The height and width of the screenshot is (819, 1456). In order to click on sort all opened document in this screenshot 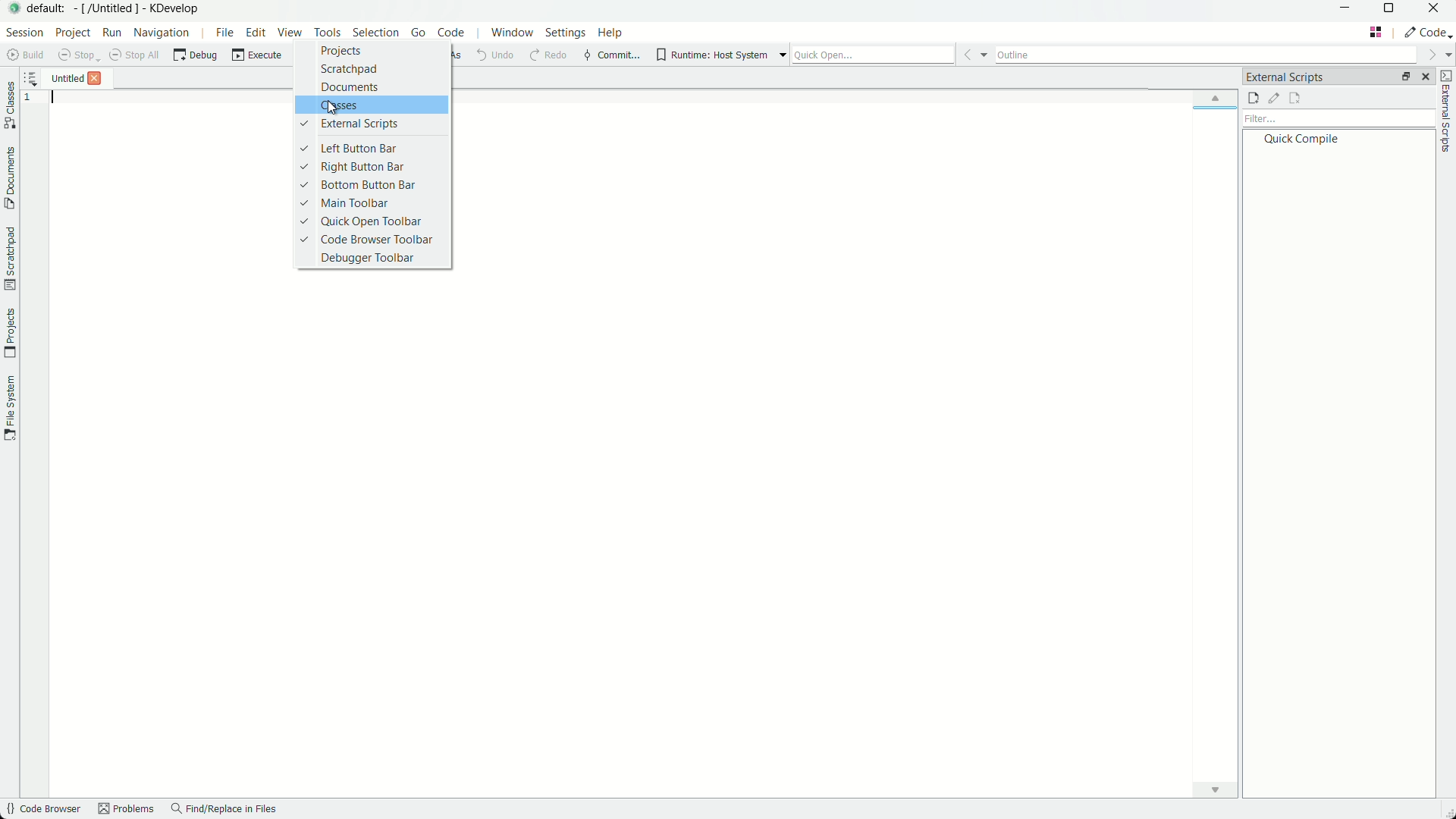, I will do `click(30, 77)`.